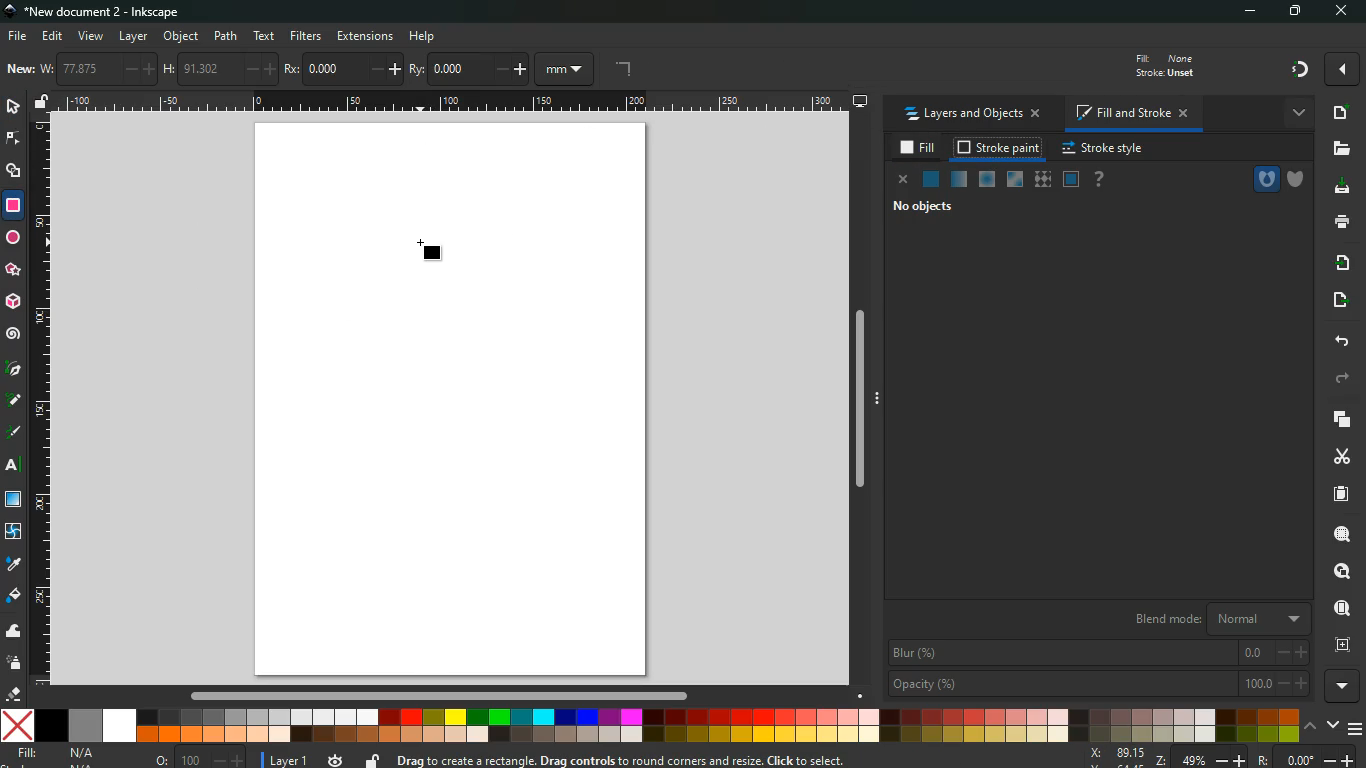  Describe the element at coordinates (14, 598) in the screenshot. I see `fill` at that location.